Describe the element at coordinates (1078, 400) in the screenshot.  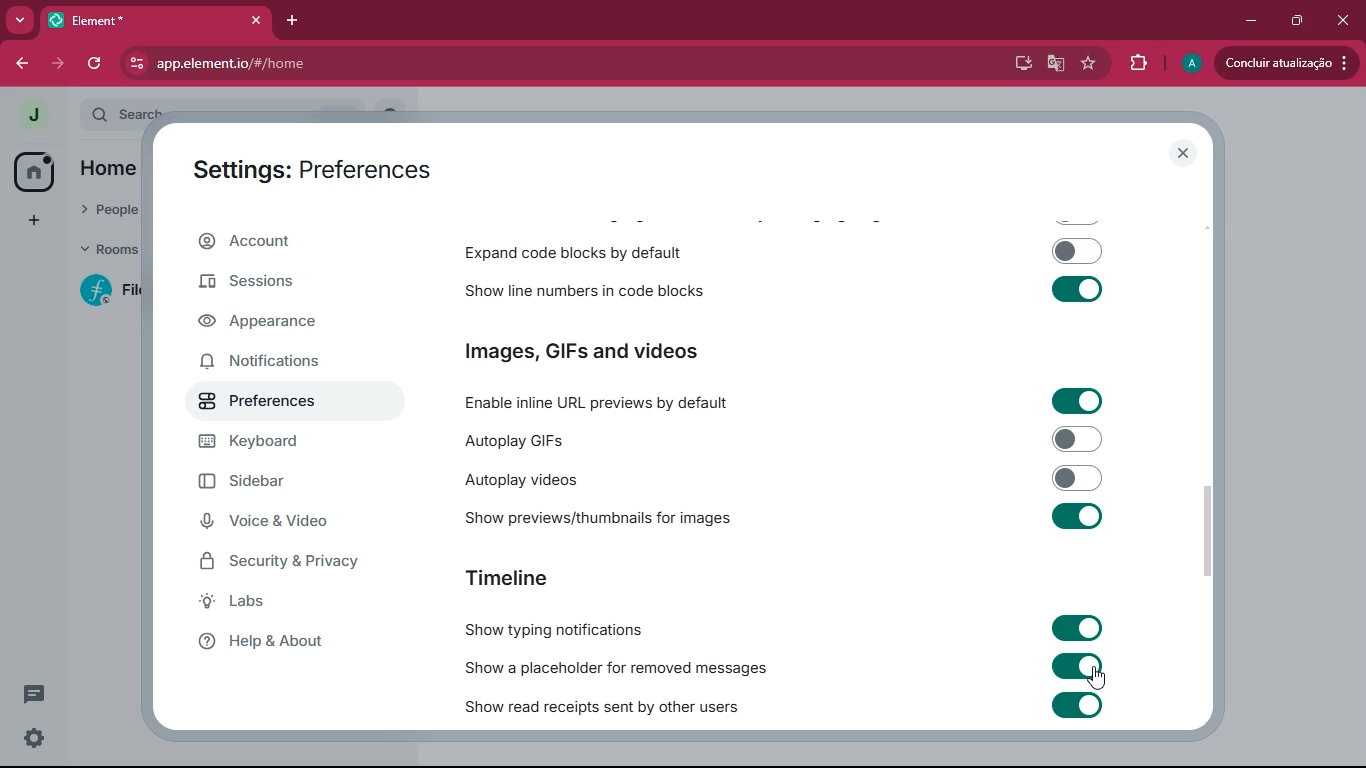
I see `toggle on/off` at that location.